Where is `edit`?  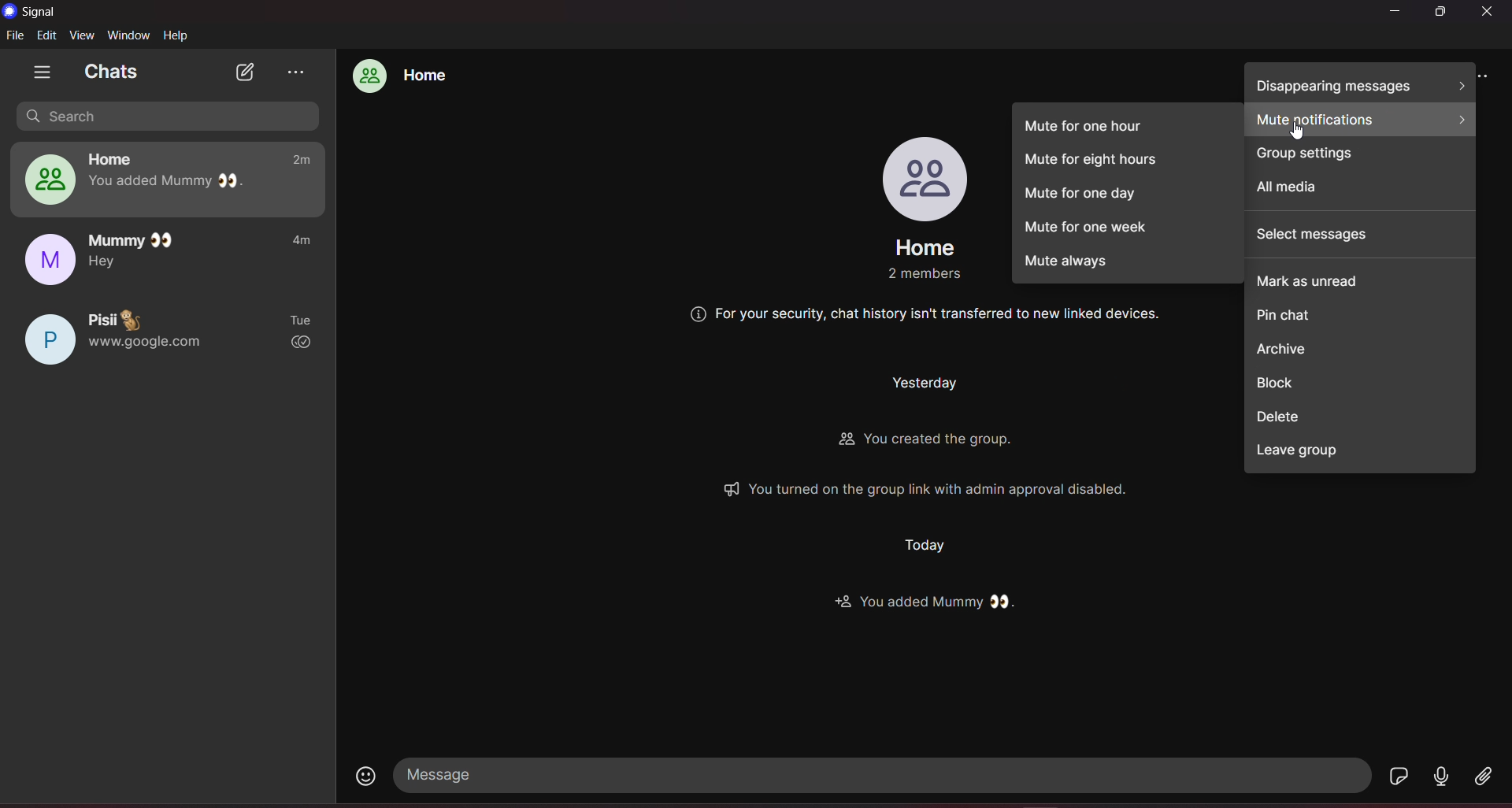
edit is located at coordinates (47, 34).